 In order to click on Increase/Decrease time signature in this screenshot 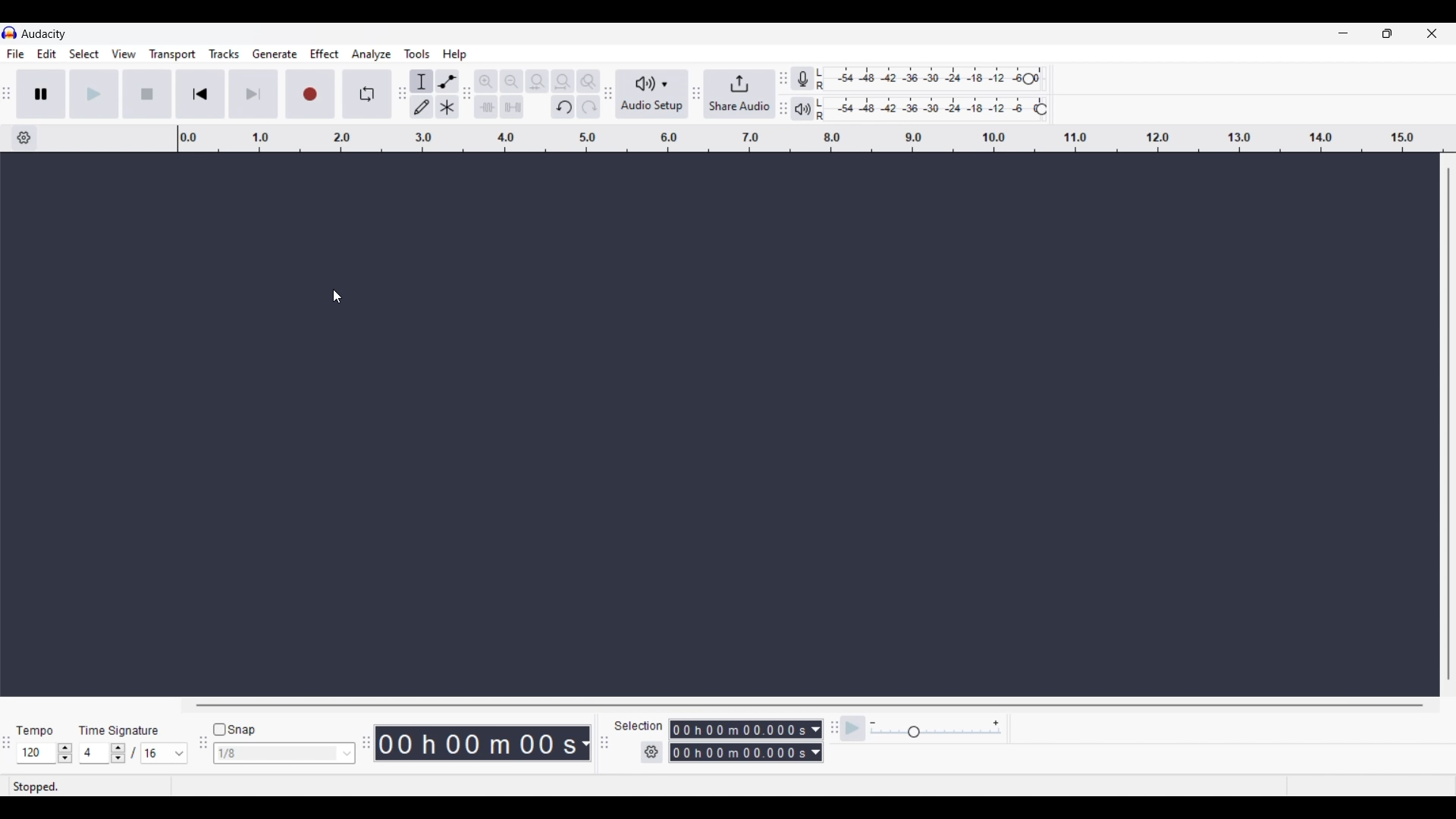, I will do `click(118, 753)`.